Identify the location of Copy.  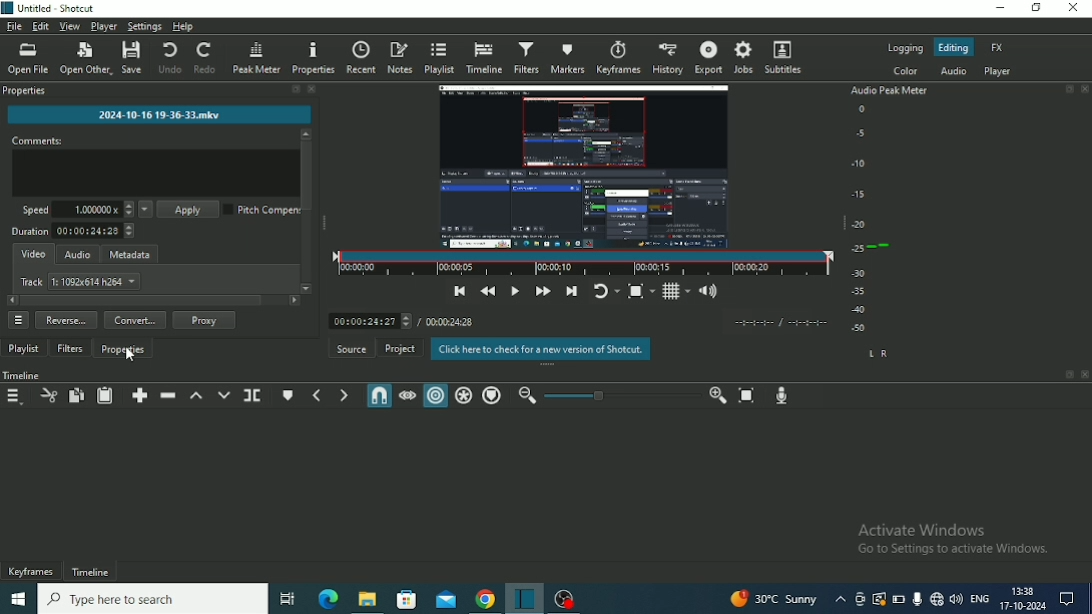
(75, 395).